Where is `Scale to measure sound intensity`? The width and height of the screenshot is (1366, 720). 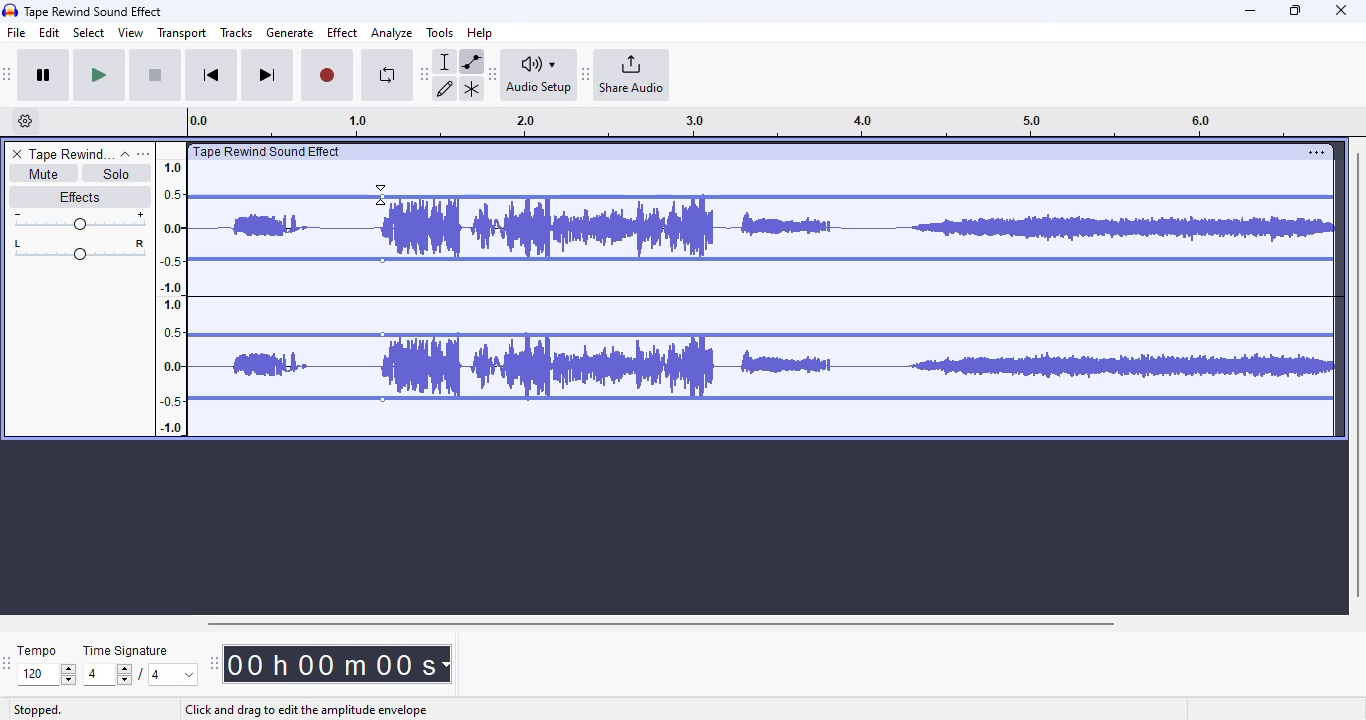 Scale to measure sound intensity is located at coordinates (172, 296).